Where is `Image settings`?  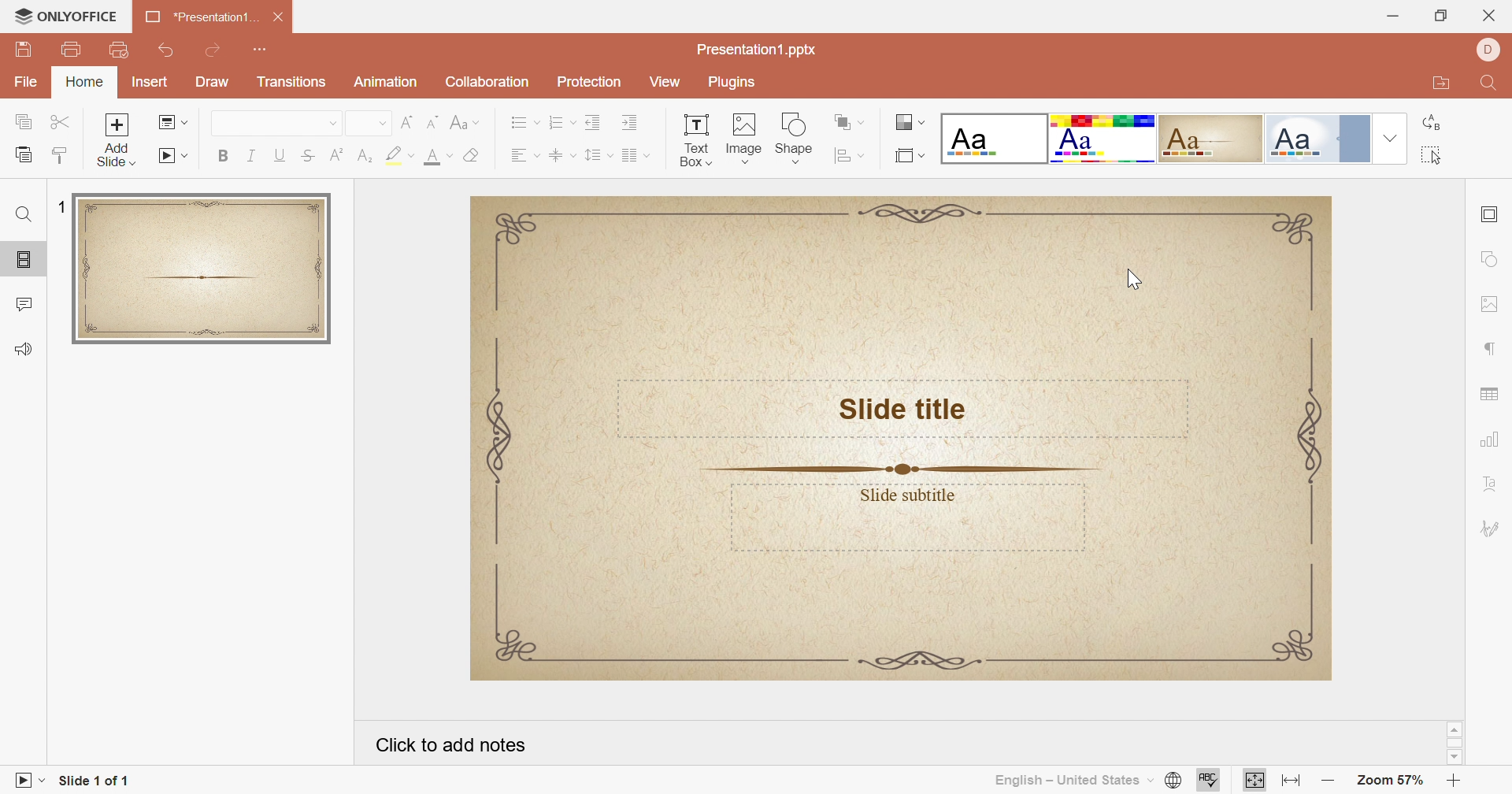 Image settings is located at coordinates (1492, 305).